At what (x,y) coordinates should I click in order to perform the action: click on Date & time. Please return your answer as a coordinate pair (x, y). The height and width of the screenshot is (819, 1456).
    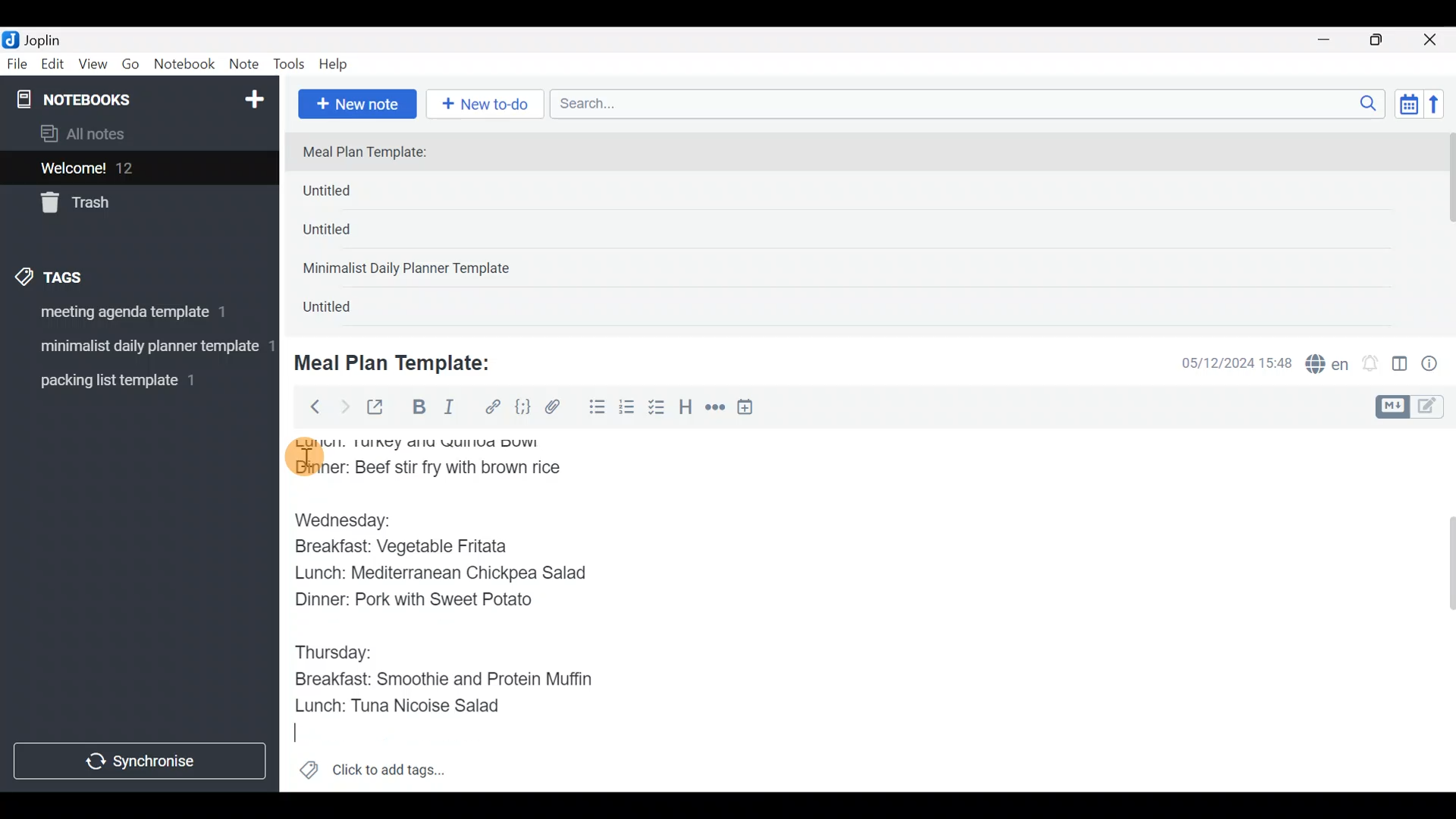
    Looking at the image, I should click on (1225, 362).